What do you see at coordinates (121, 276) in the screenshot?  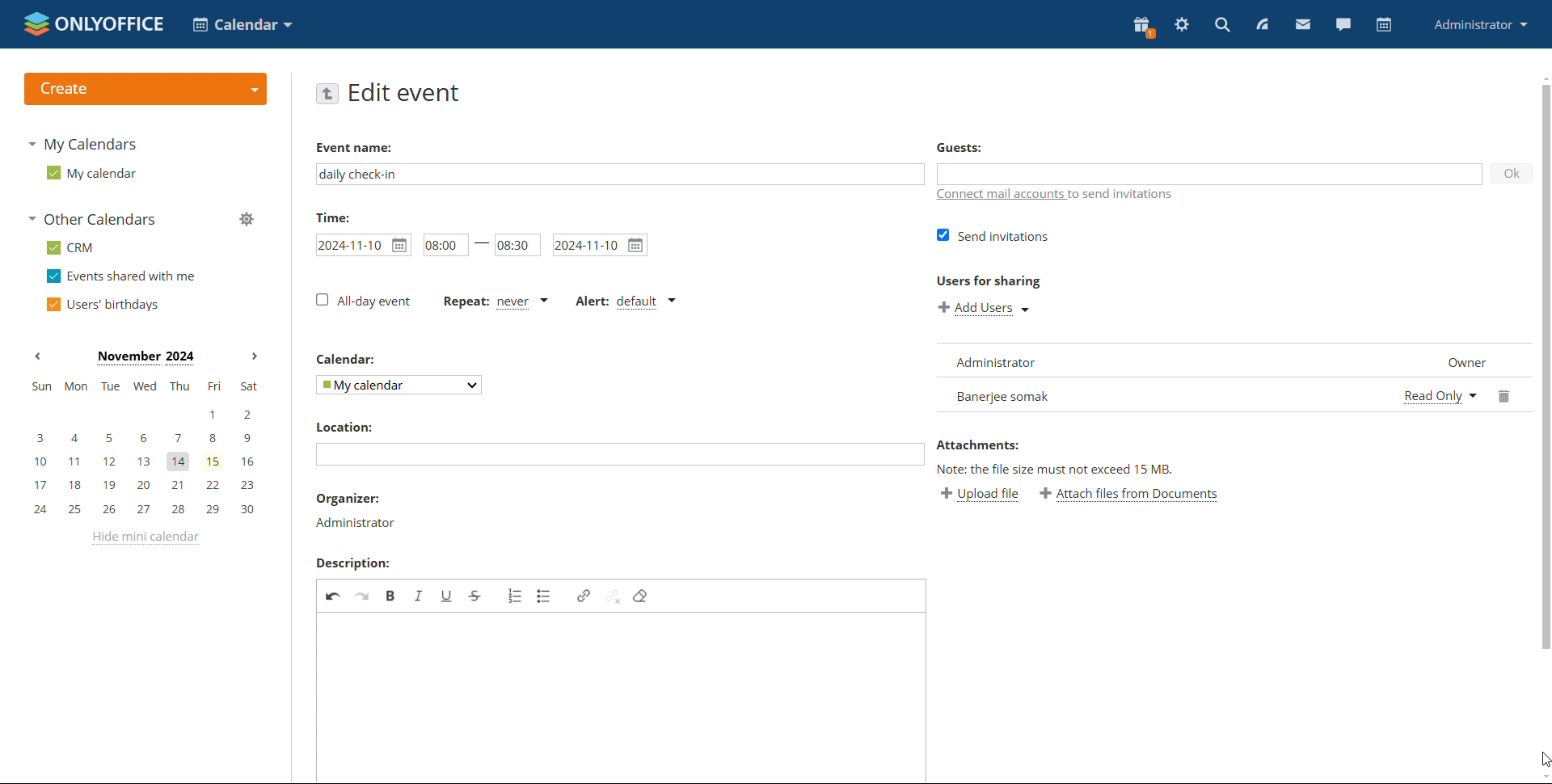 I see `events shared with me` at bounding box center [121, 276].